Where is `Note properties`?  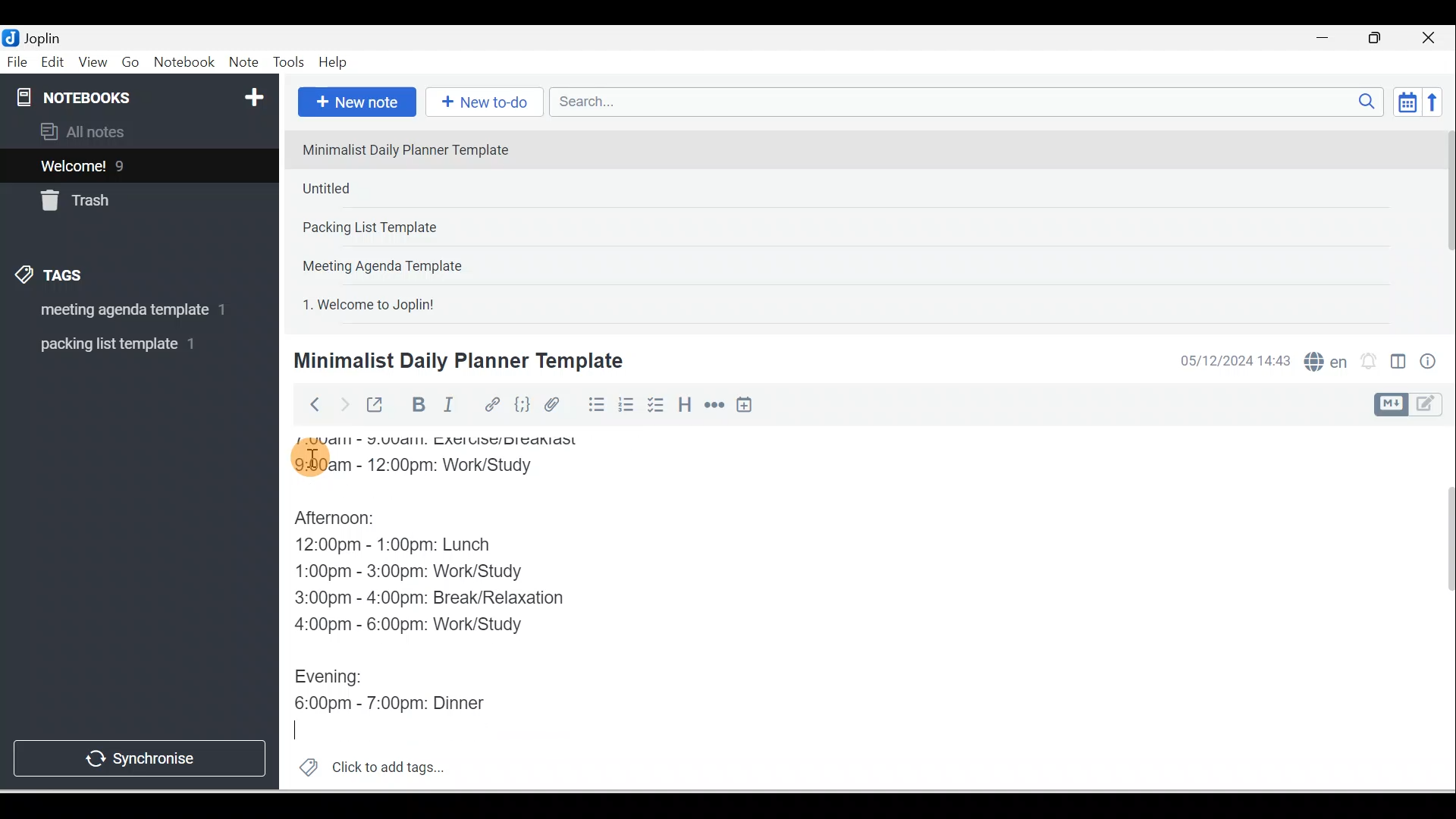
Note properties is located at coordinates (1429, 363).